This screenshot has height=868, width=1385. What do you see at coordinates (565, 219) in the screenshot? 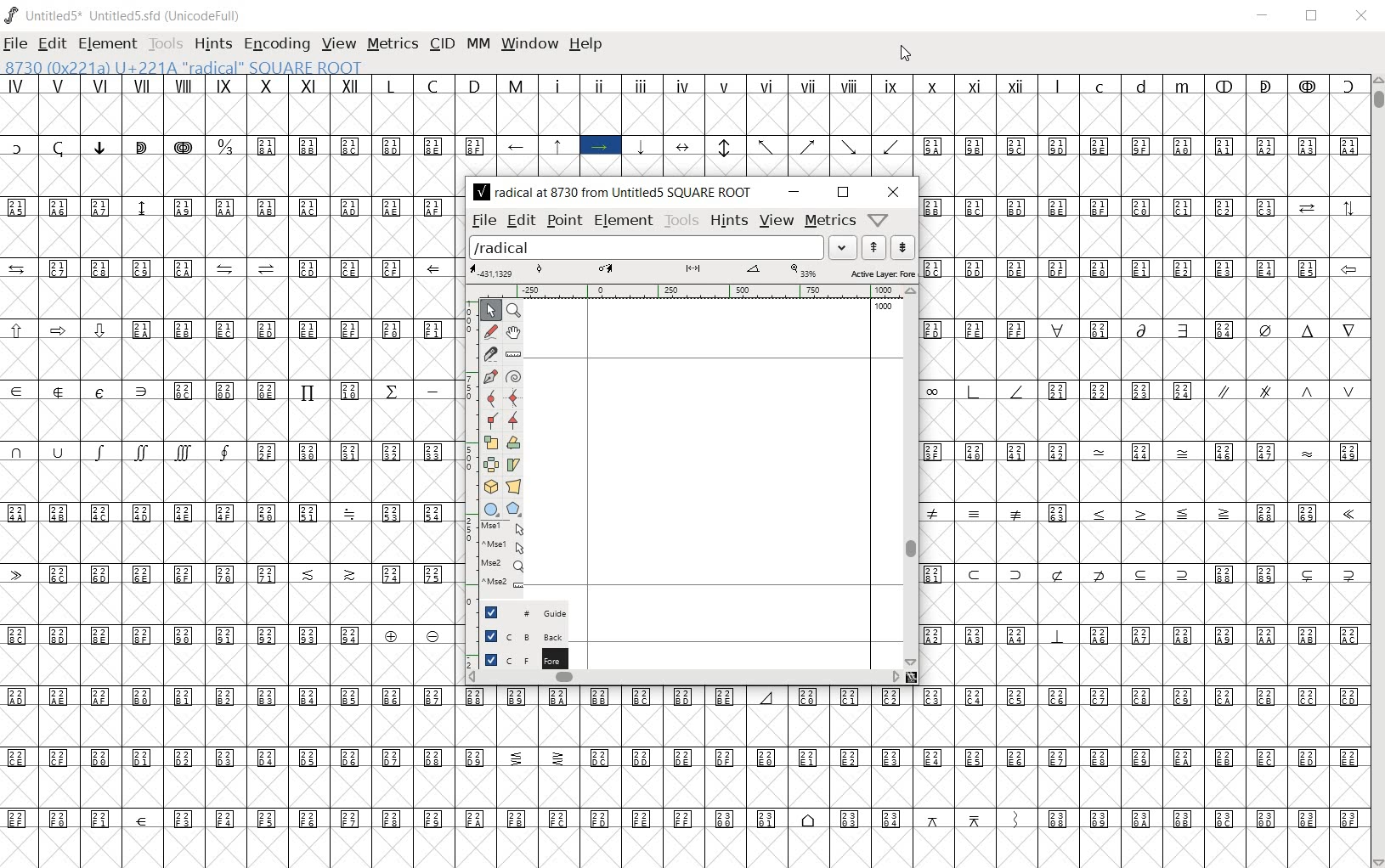
I see `point` at bounding box center [565, 219].